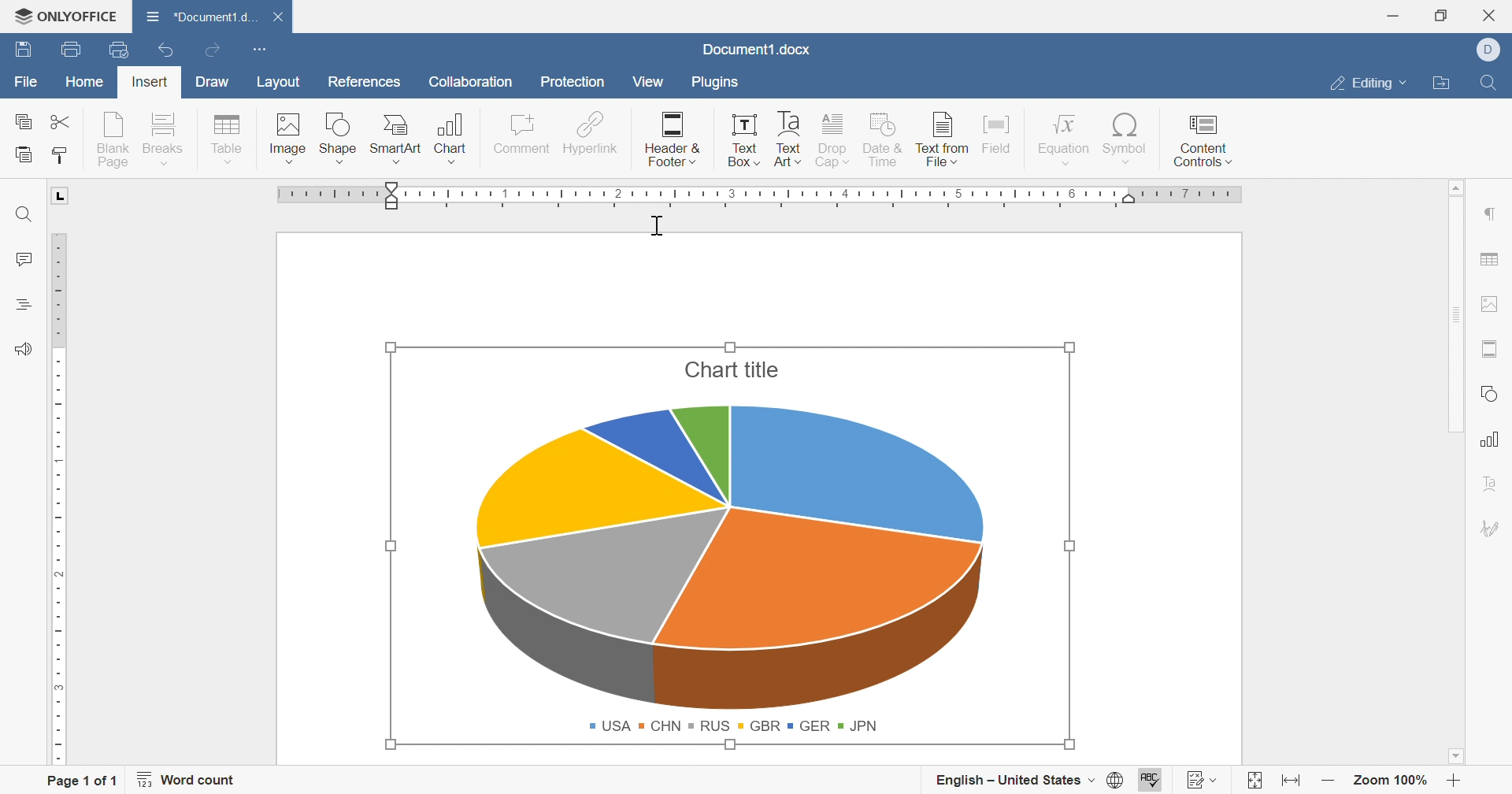  What do you see at coordinates (68, 17) in the screenshot?
I see `ONLYOFFICE` at bounding box center [68, 17].